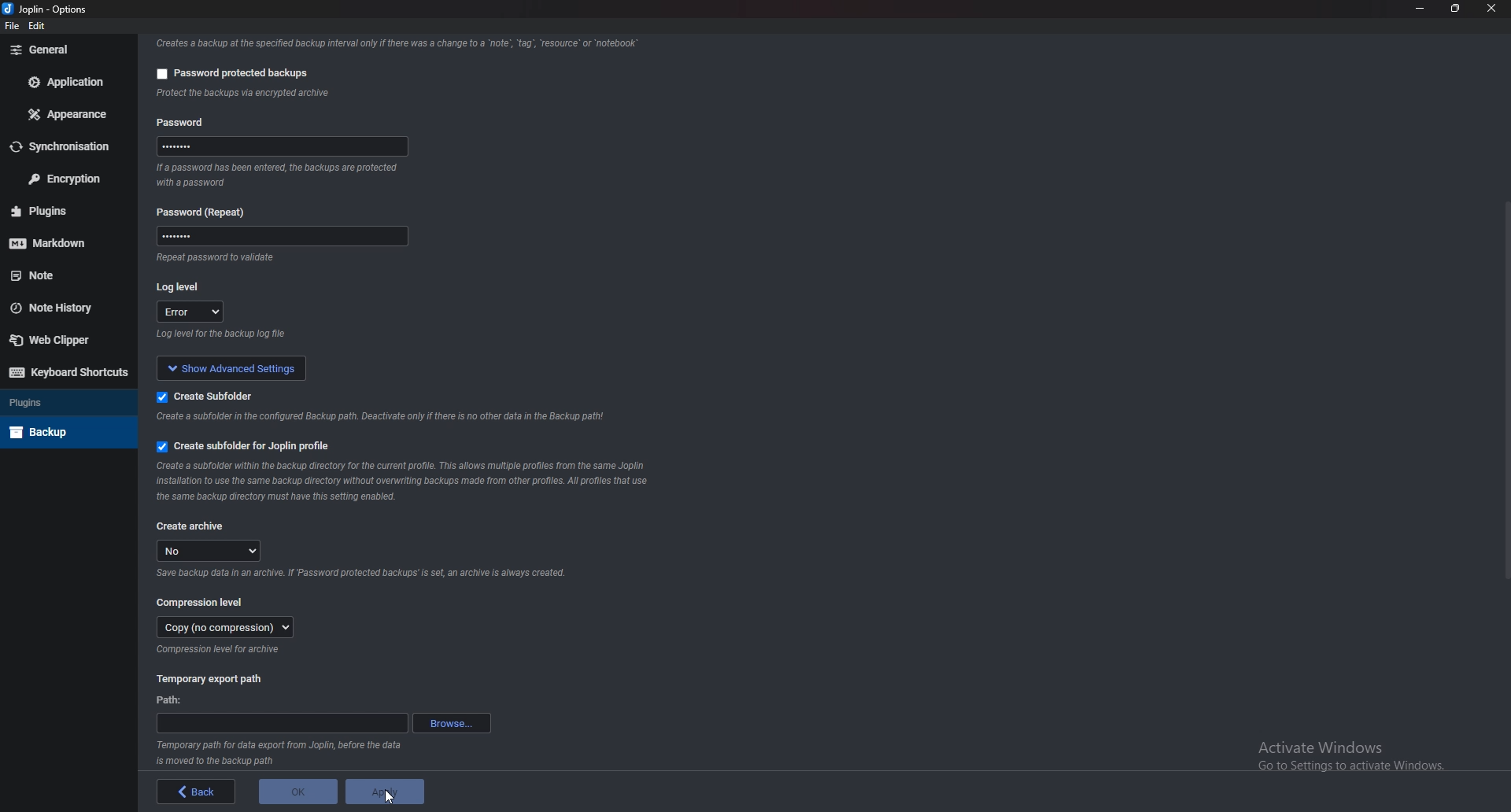 The height and width of the screenshot is (812, 1511). I want to click on password, so click(184, 120).